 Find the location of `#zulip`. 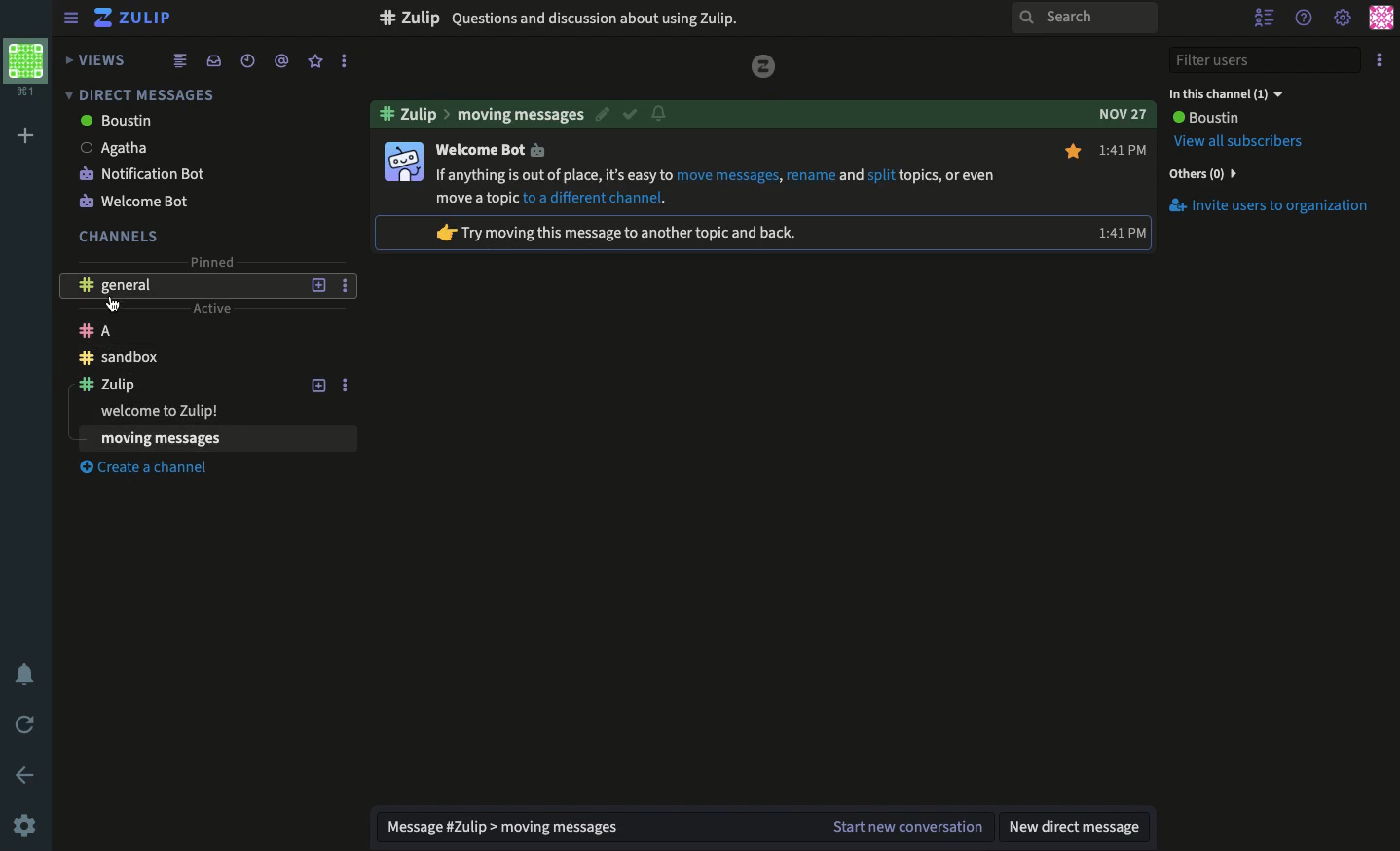

#zulip is located at coordinates (407, 115).